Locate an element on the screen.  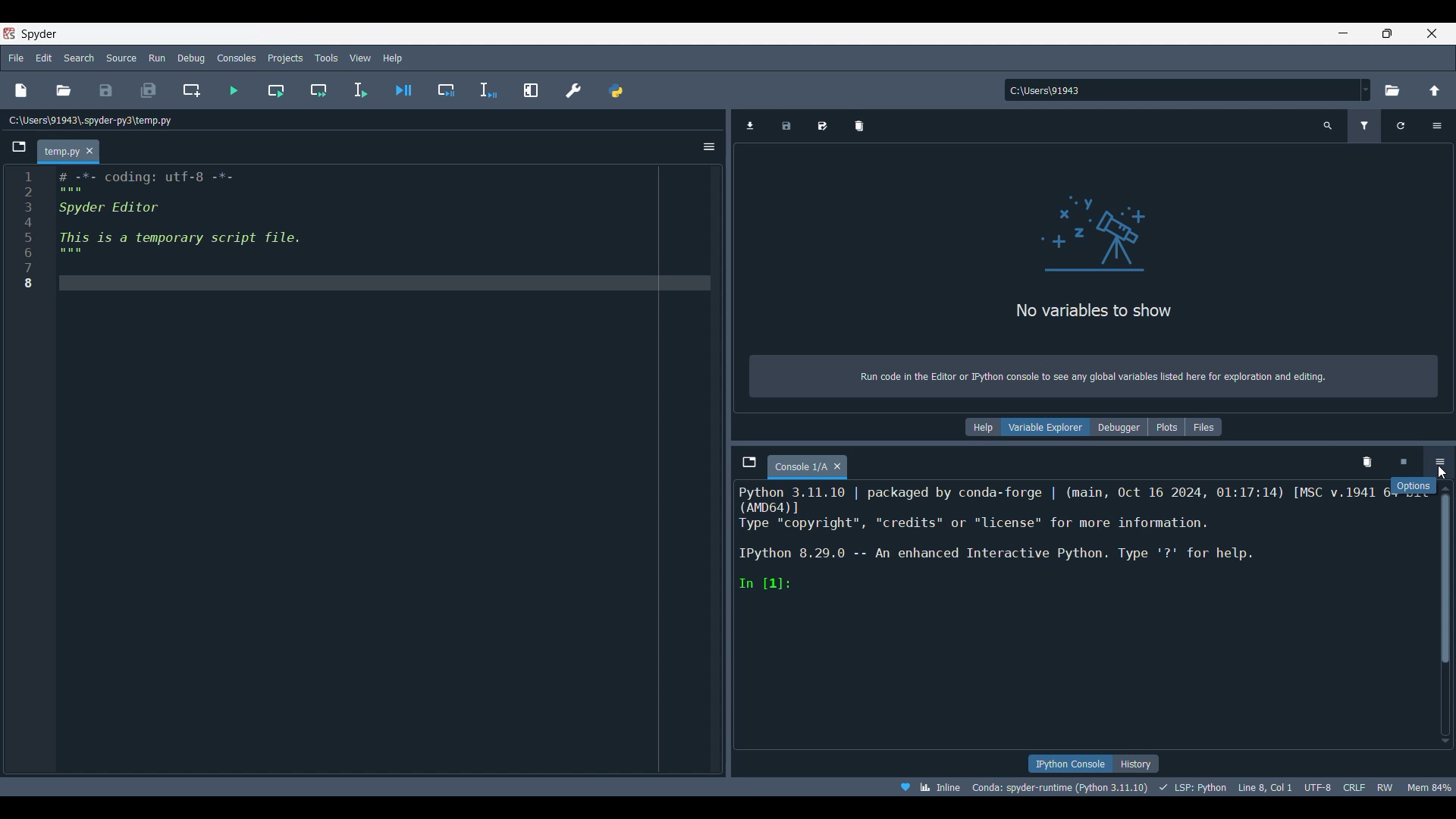
History is located at coordinates (1136, 764).